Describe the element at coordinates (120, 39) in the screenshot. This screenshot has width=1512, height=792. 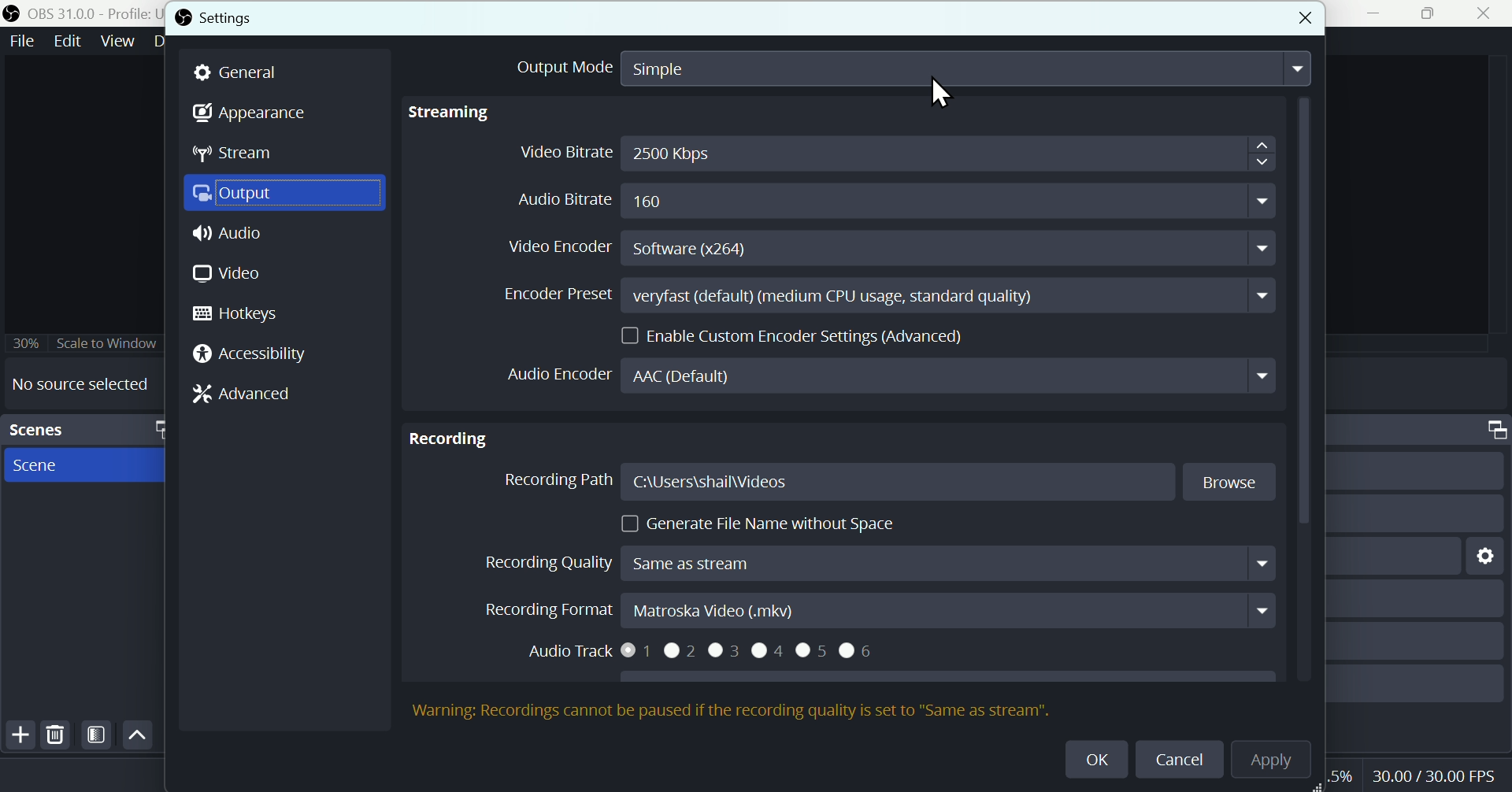
I see `View` at that location.